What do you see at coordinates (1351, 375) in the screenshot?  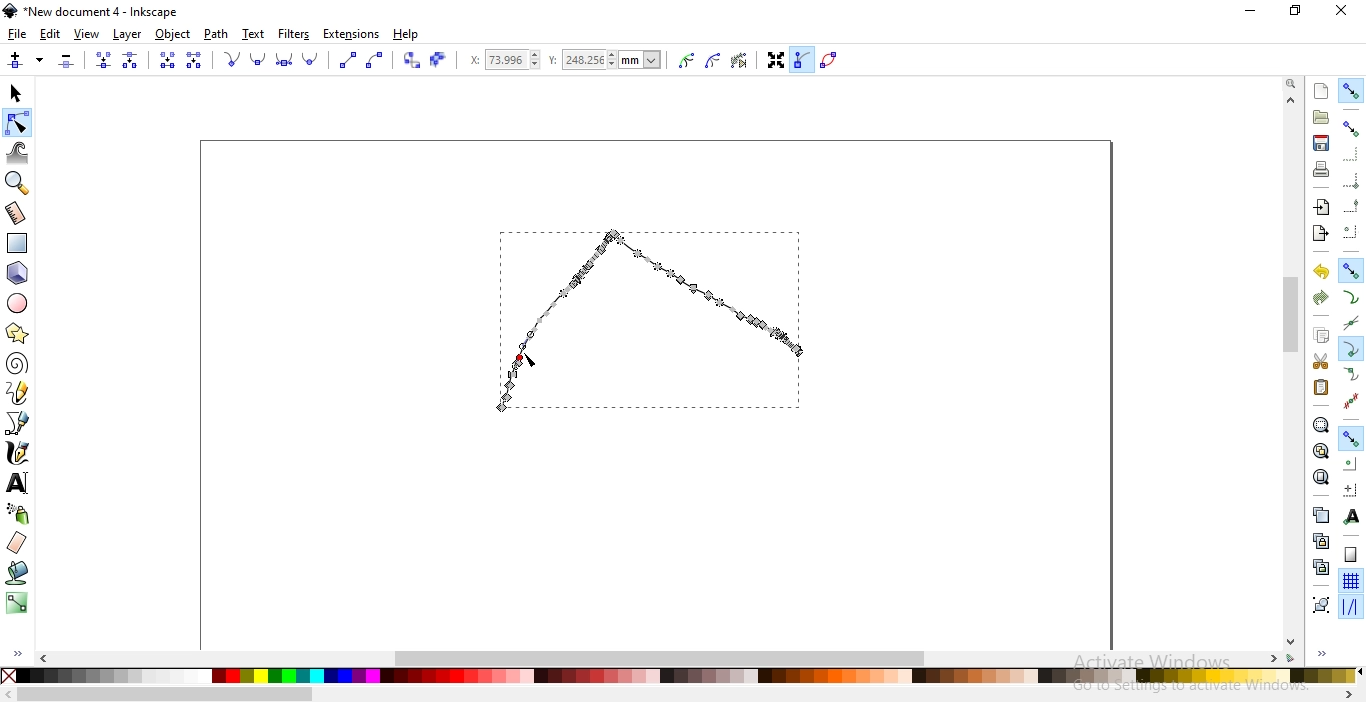 I see `snap smooth nodes` at bounding box center [1351, 375].